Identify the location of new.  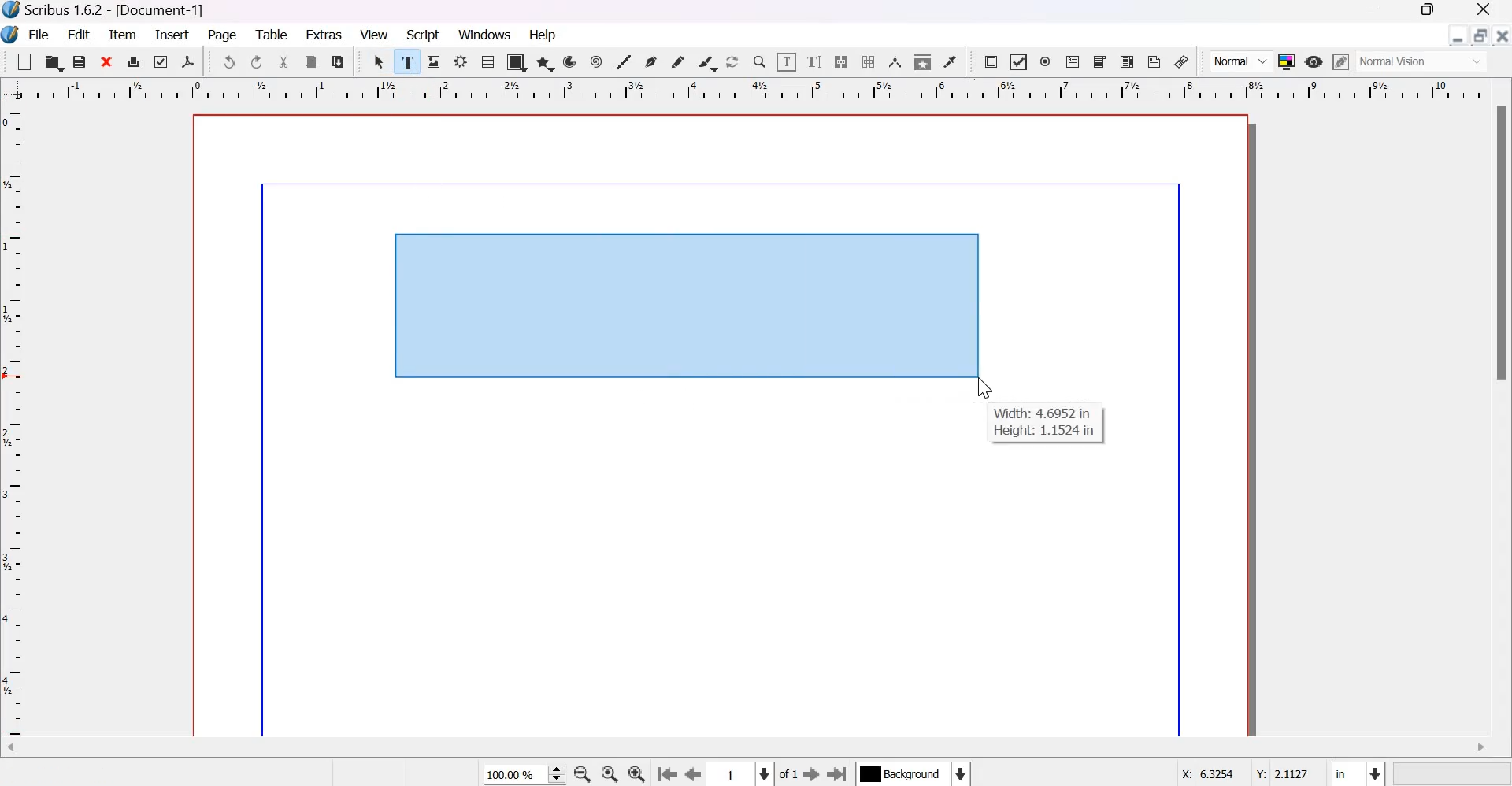
(24, 61).